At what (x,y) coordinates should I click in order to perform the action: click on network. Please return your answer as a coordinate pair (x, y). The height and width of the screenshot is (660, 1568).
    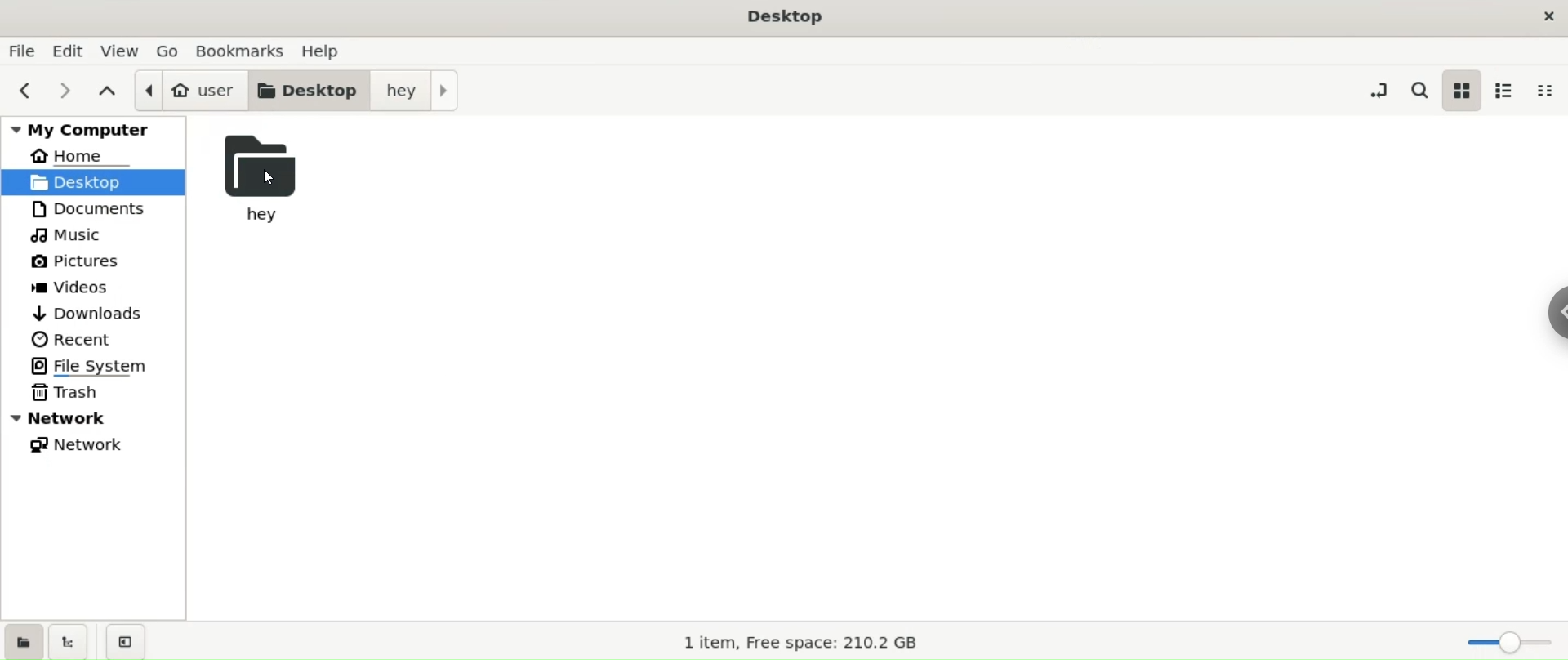
    Looking at the image, I should click on (95, 419).